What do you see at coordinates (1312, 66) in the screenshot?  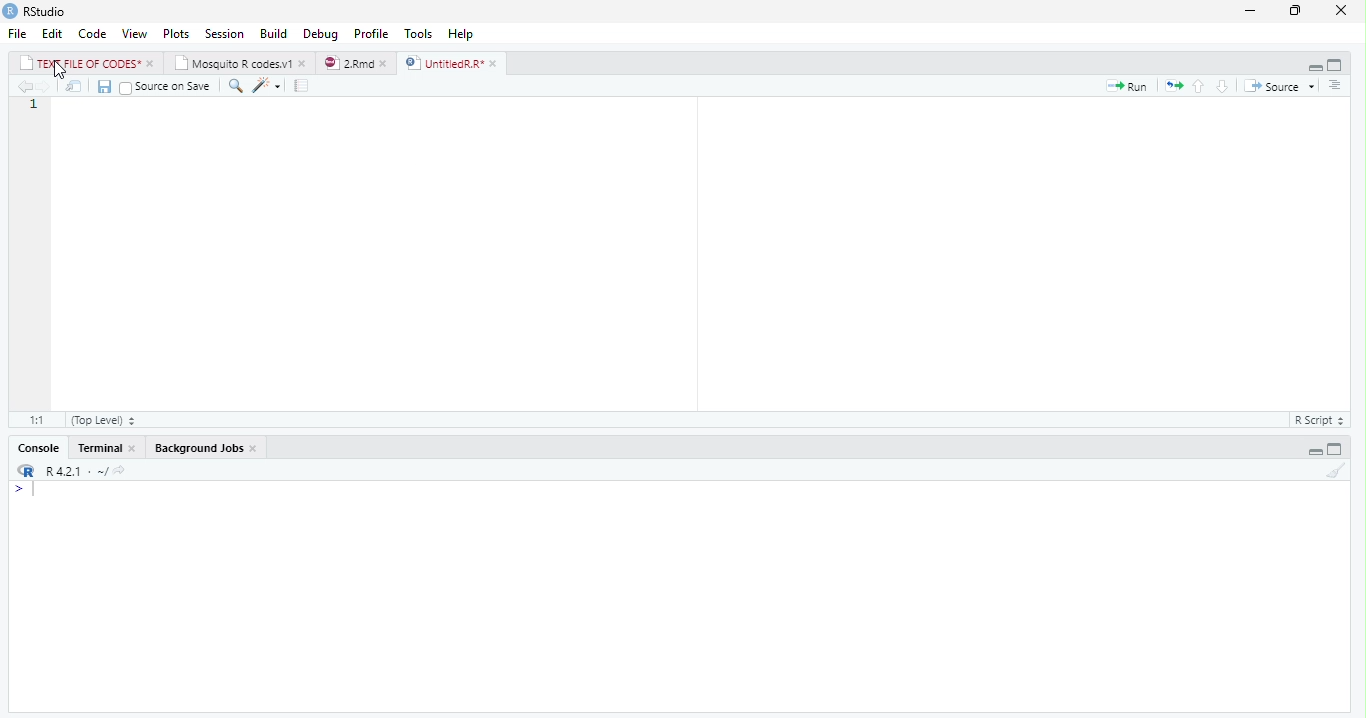 I see `Hide` at bounding box center [1312, 66].